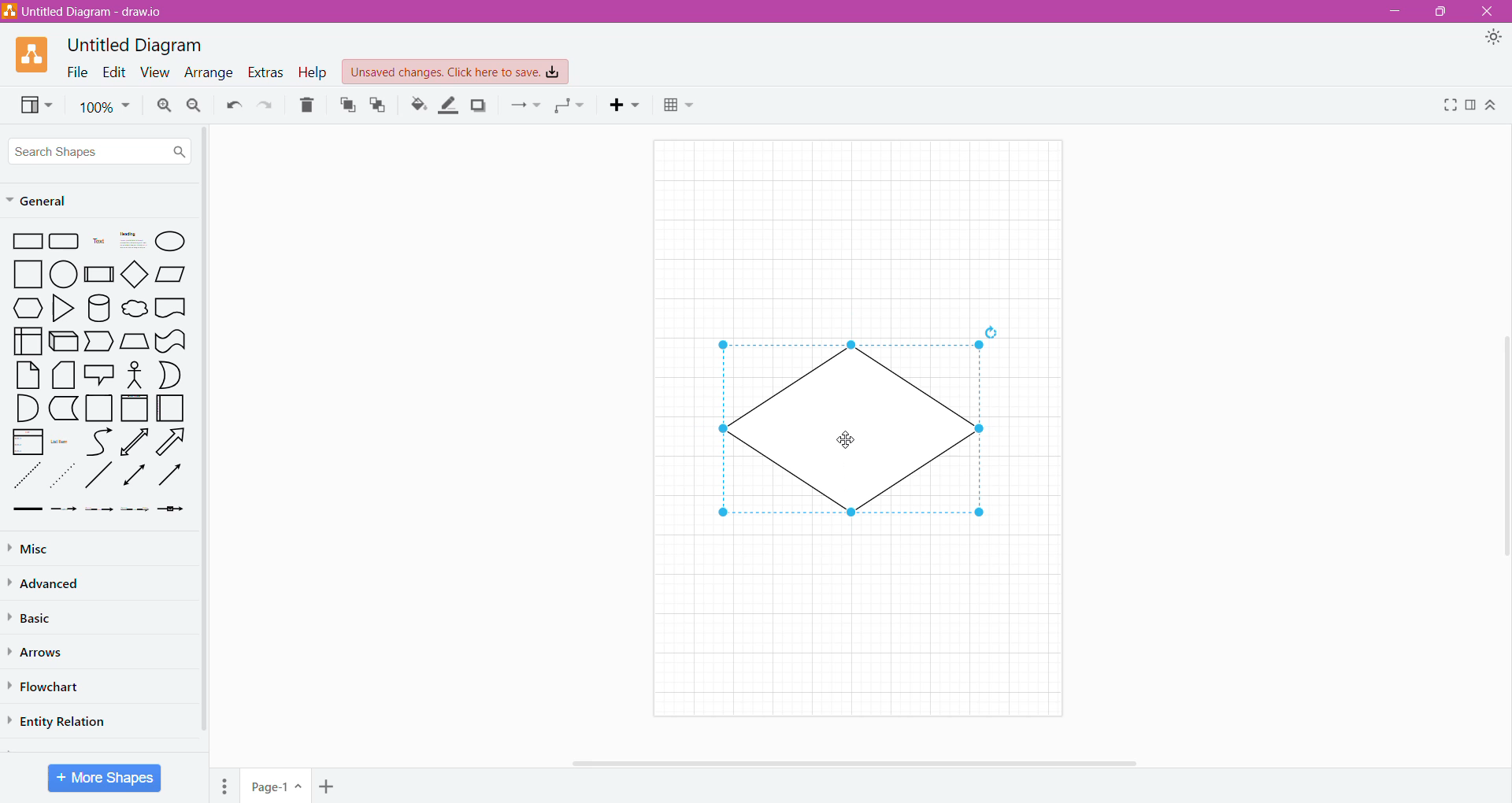 The width and height of the screenshot is (1512, 803). I want to click on Dashed Line, so click(28, 479).